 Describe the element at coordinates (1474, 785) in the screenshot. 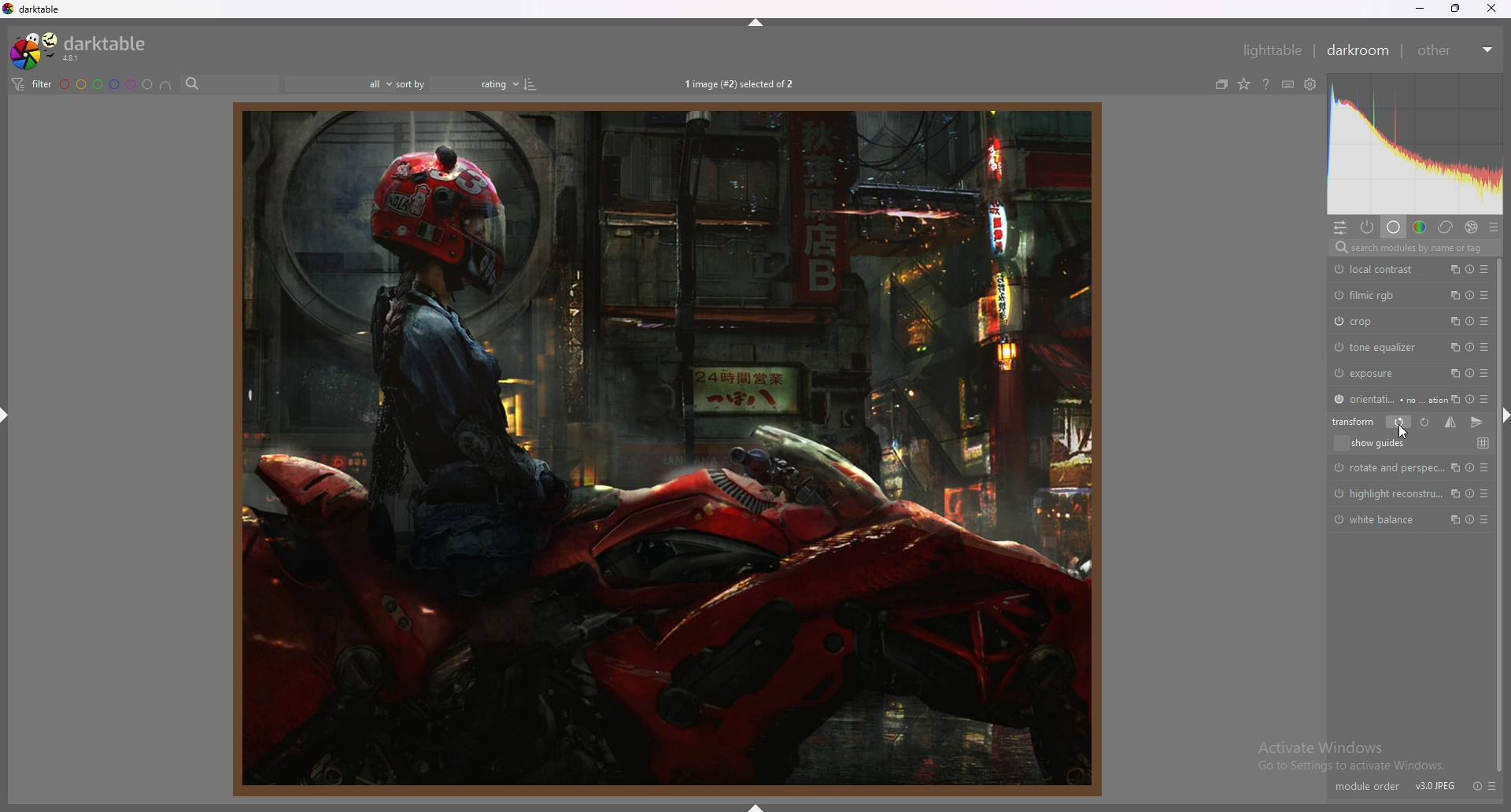

I see `reset` at that location.